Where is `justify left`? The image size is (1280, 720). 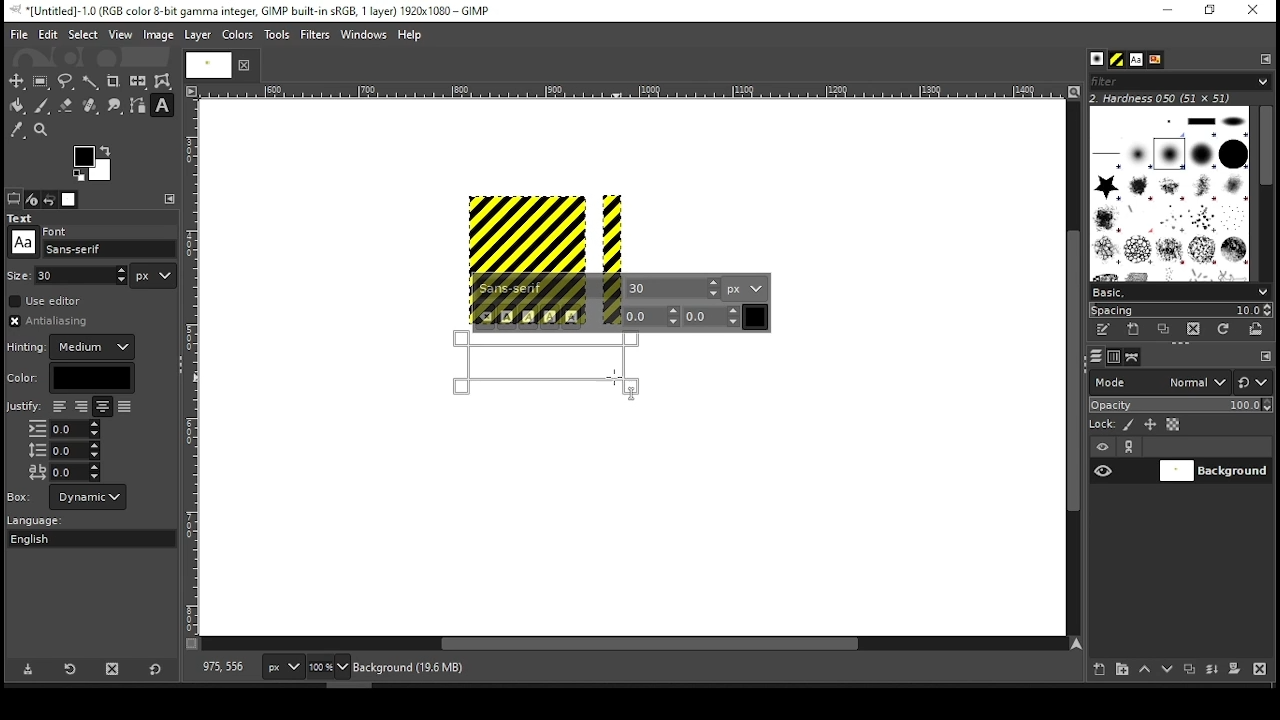 justify left is located at coordinates (59, 406).